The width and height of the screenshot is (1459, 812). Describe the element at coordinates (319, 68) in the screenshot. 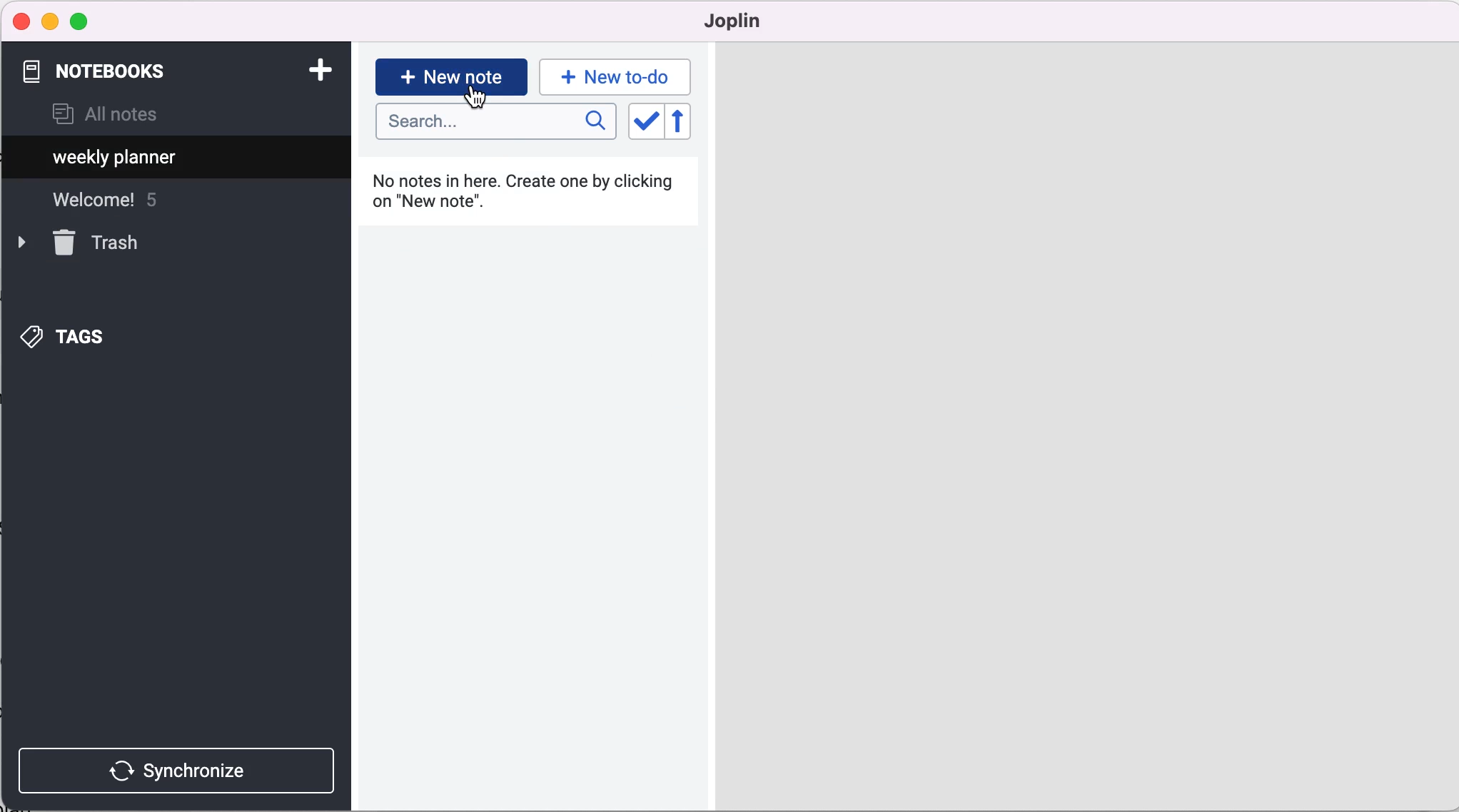

I see `add note` at that location.